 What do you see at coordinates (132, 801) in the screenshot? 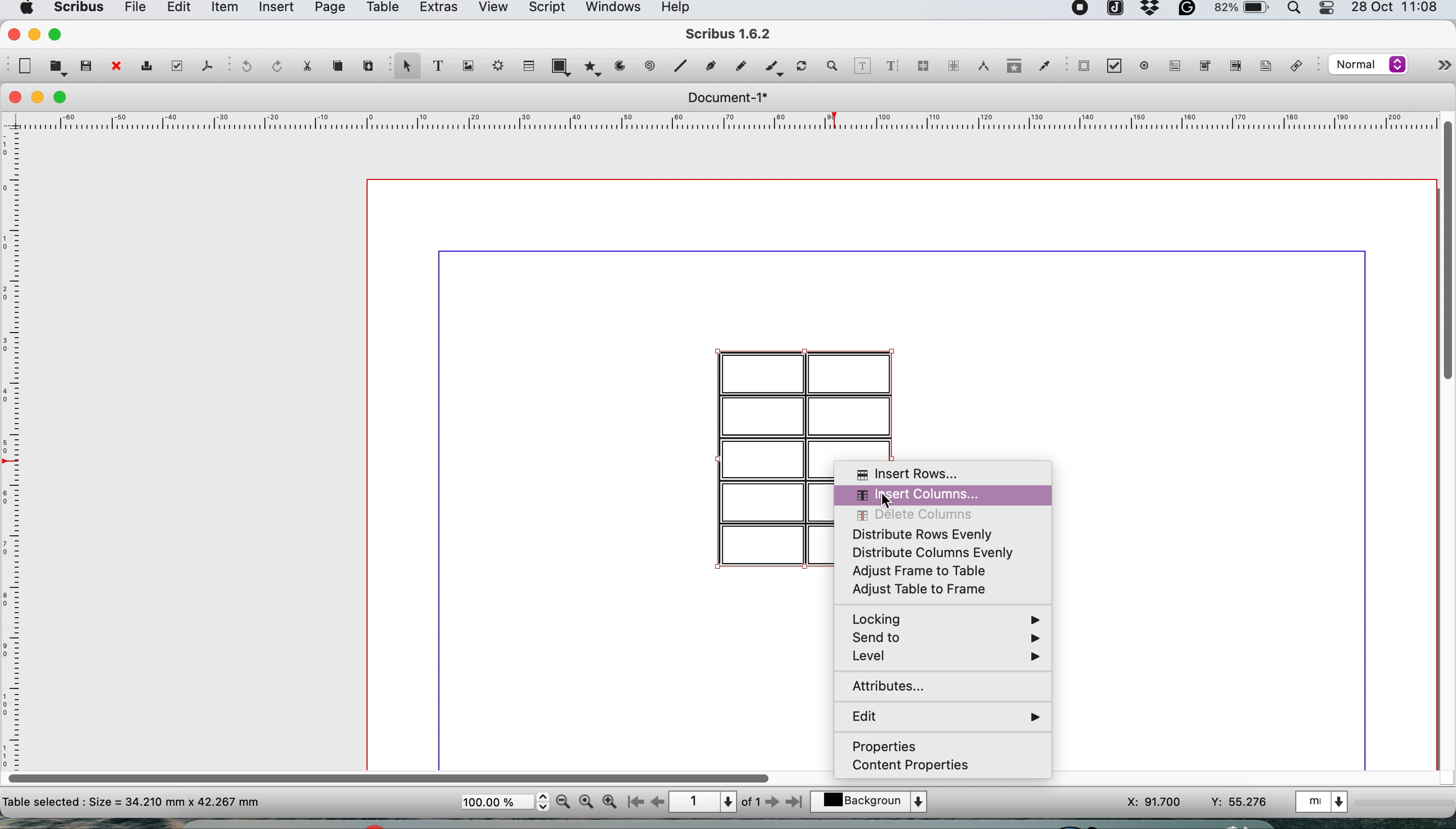
I see `text` at bounding box center [132, 801].